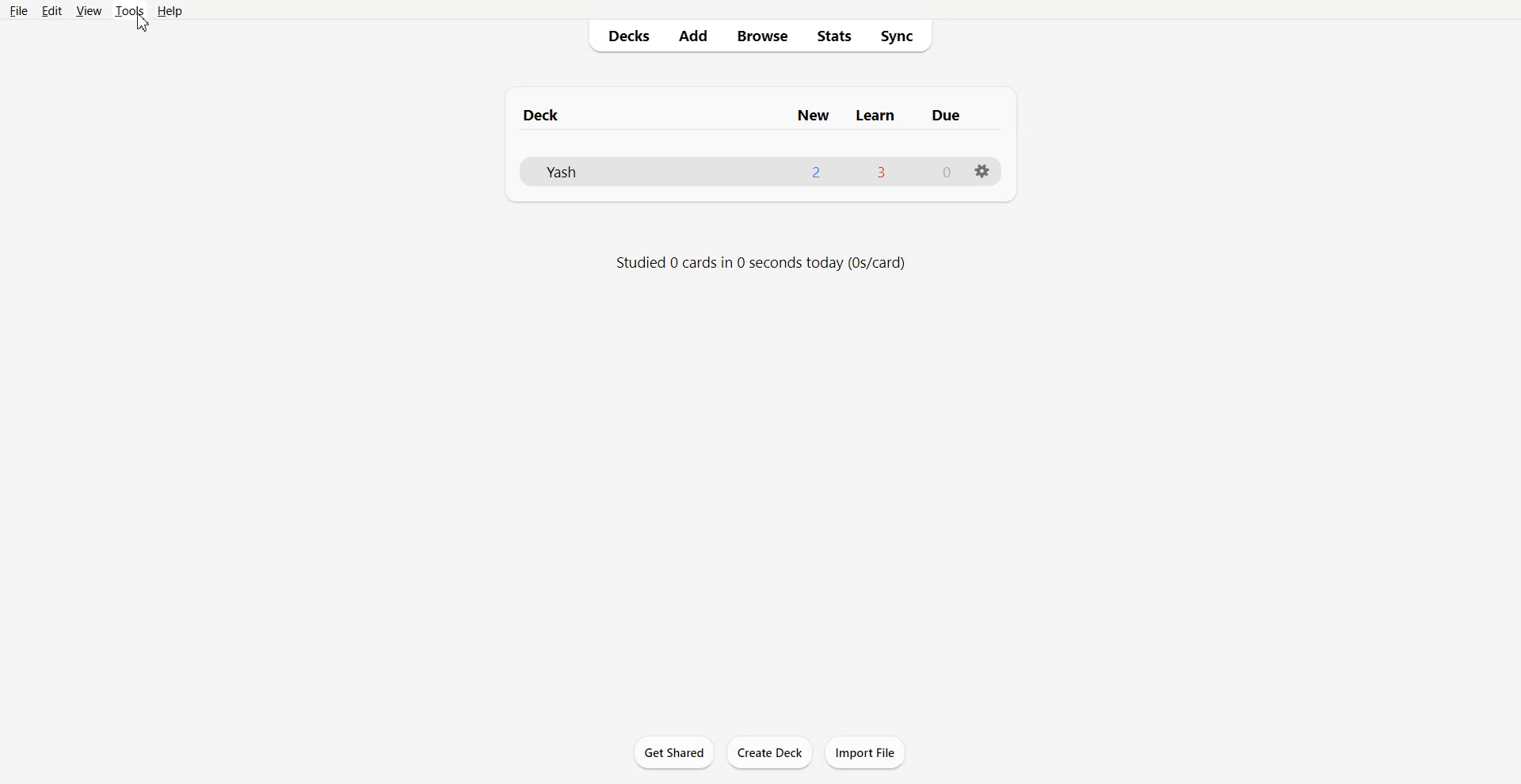 This screenshot has height=784, width=1521. What do you see at coordinates (128, 11) in the screenshot?
I see `Tools` at bounding box center [128, 11].